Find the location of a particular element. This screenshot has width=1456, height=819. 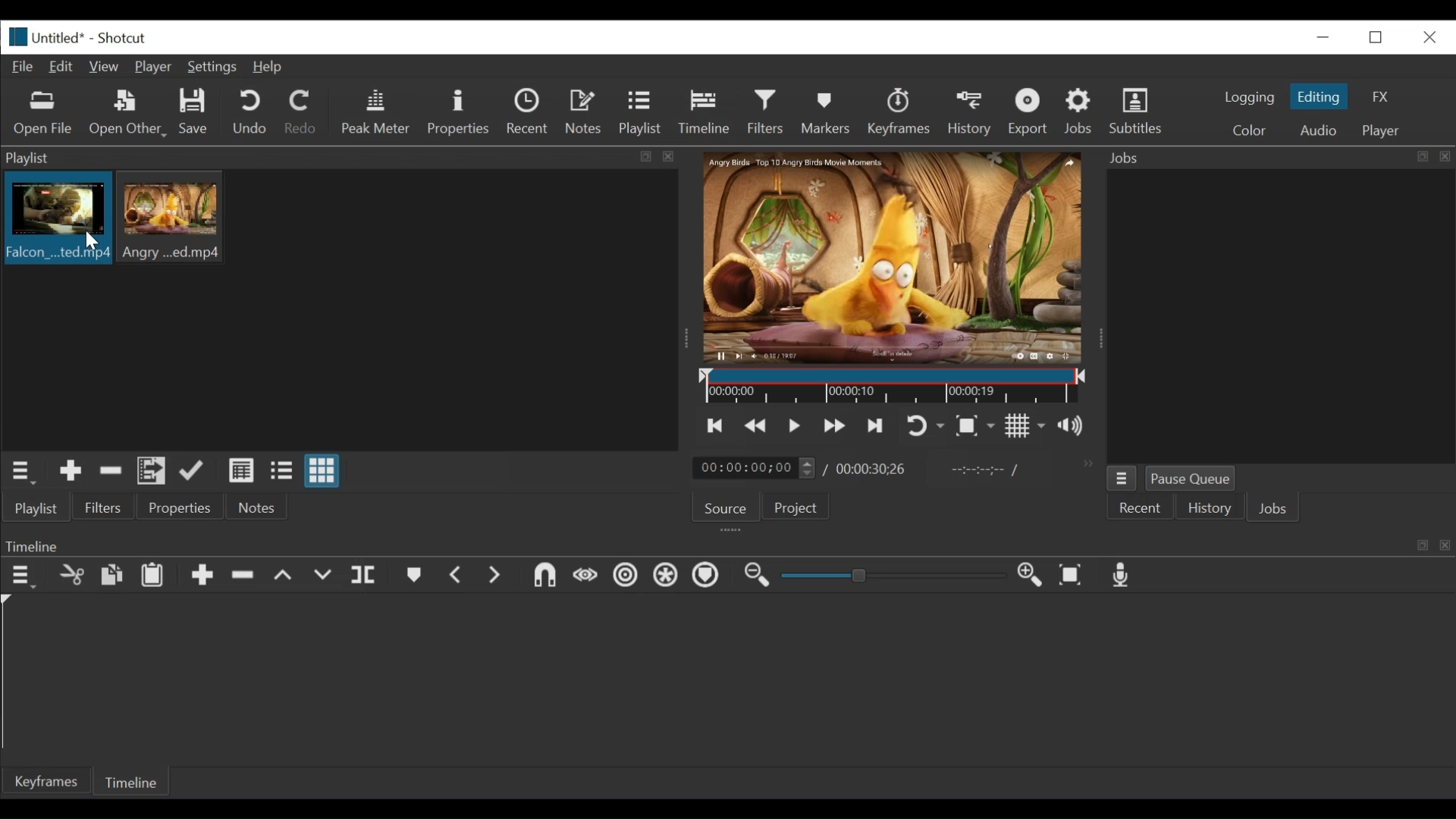

Add files to playlist is located at coordinates (152, 473).